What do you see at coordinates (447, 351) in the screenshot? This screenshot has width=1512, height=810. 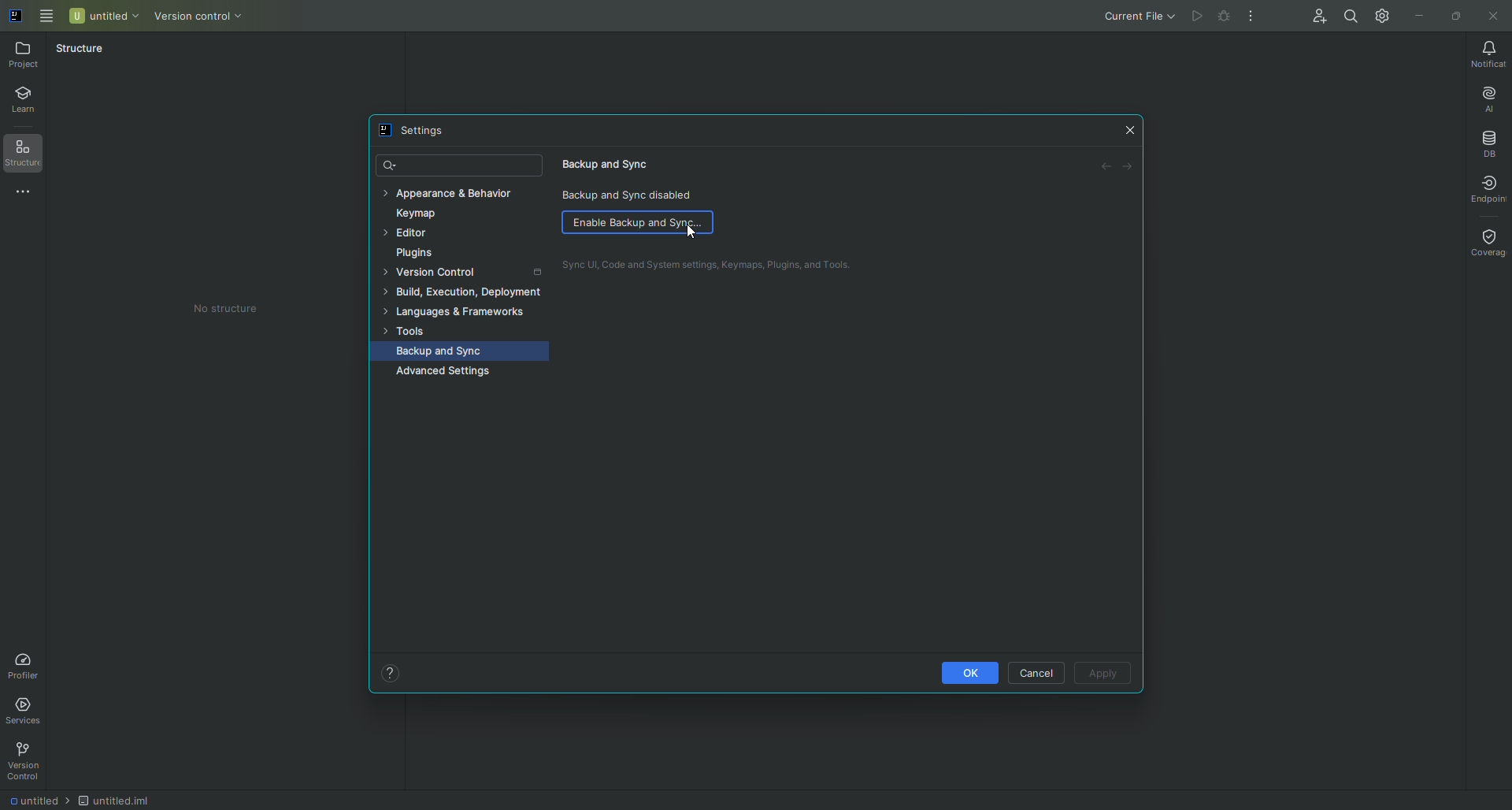 I see `Backup and Sync` at bounding box center [447, 351].